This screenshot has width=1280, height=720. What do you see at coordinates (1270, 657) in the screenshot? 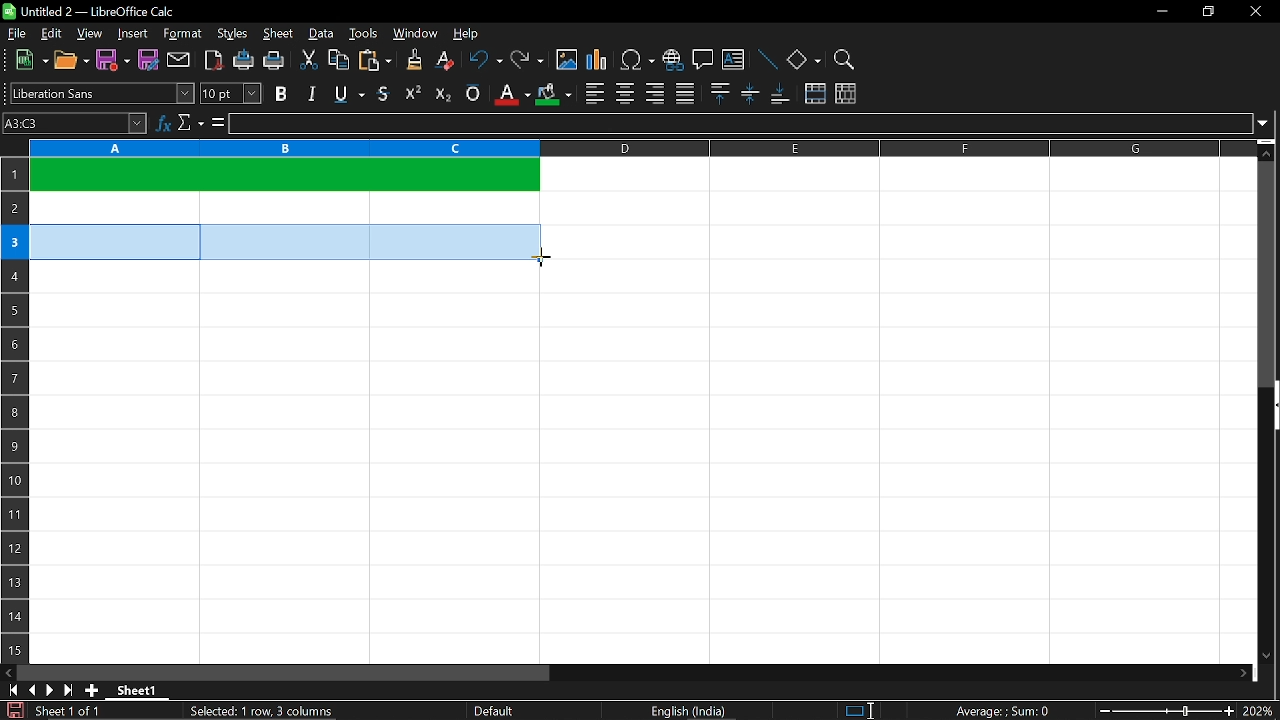
I see `move down` at bounding box center [1270, 657].